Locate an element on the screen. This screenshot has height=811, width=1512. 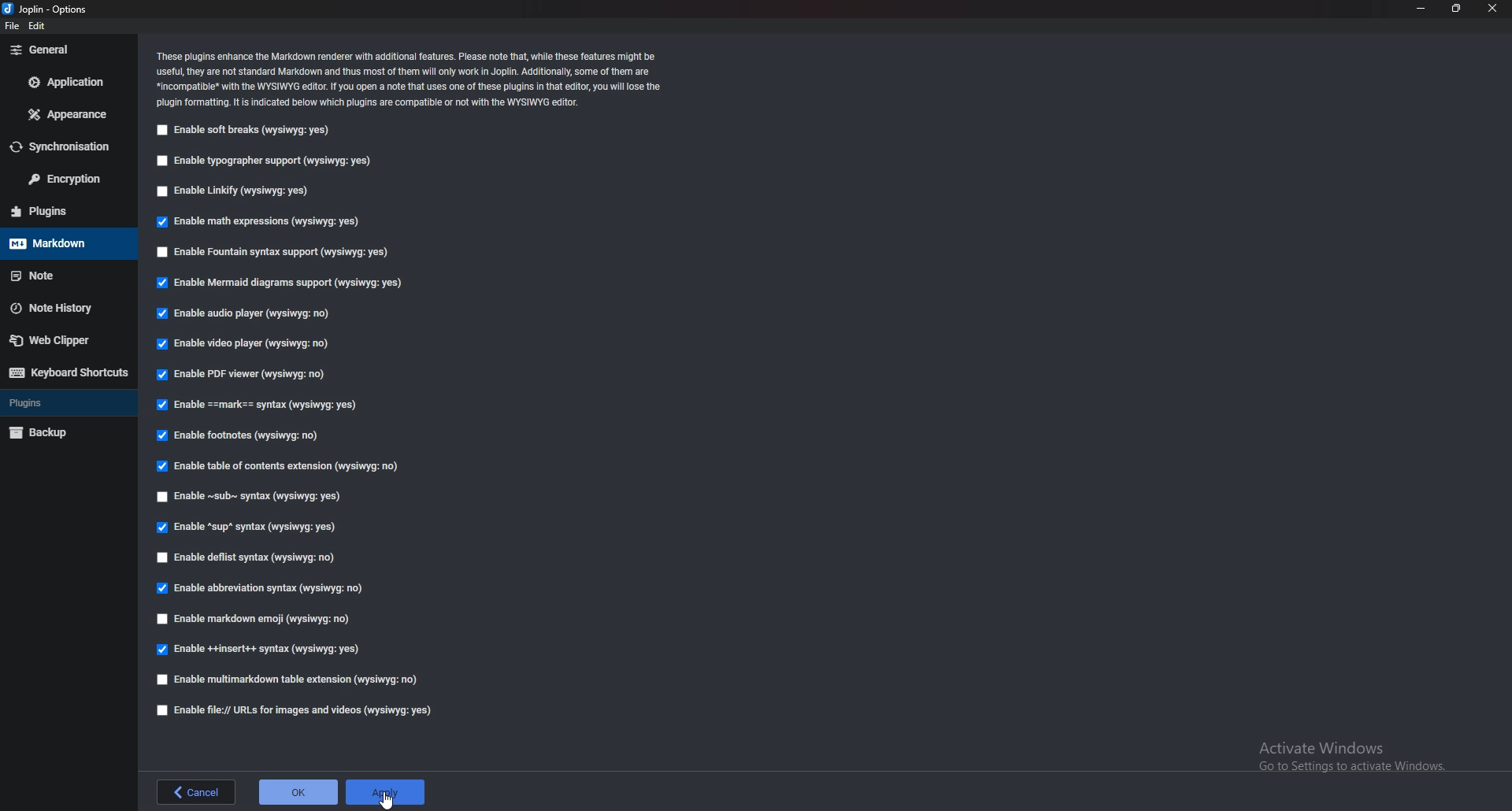
Enable abbreviation syntax is located at coordinates (264, 589).